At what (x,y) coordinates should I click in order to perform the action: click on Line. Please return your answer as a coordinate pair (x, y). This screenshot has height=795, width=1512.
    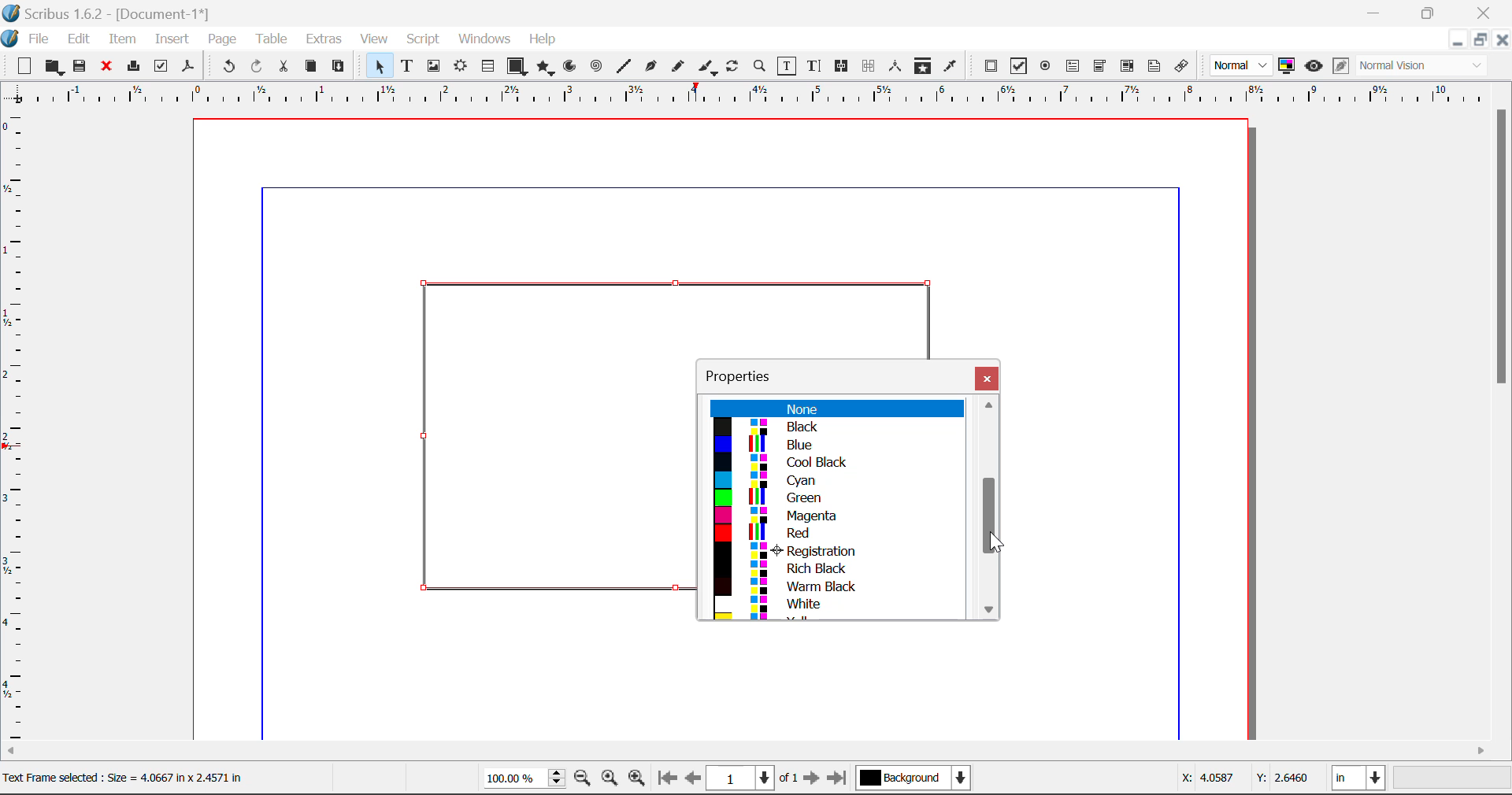
    Looking at the image, I should click on (624, 66).